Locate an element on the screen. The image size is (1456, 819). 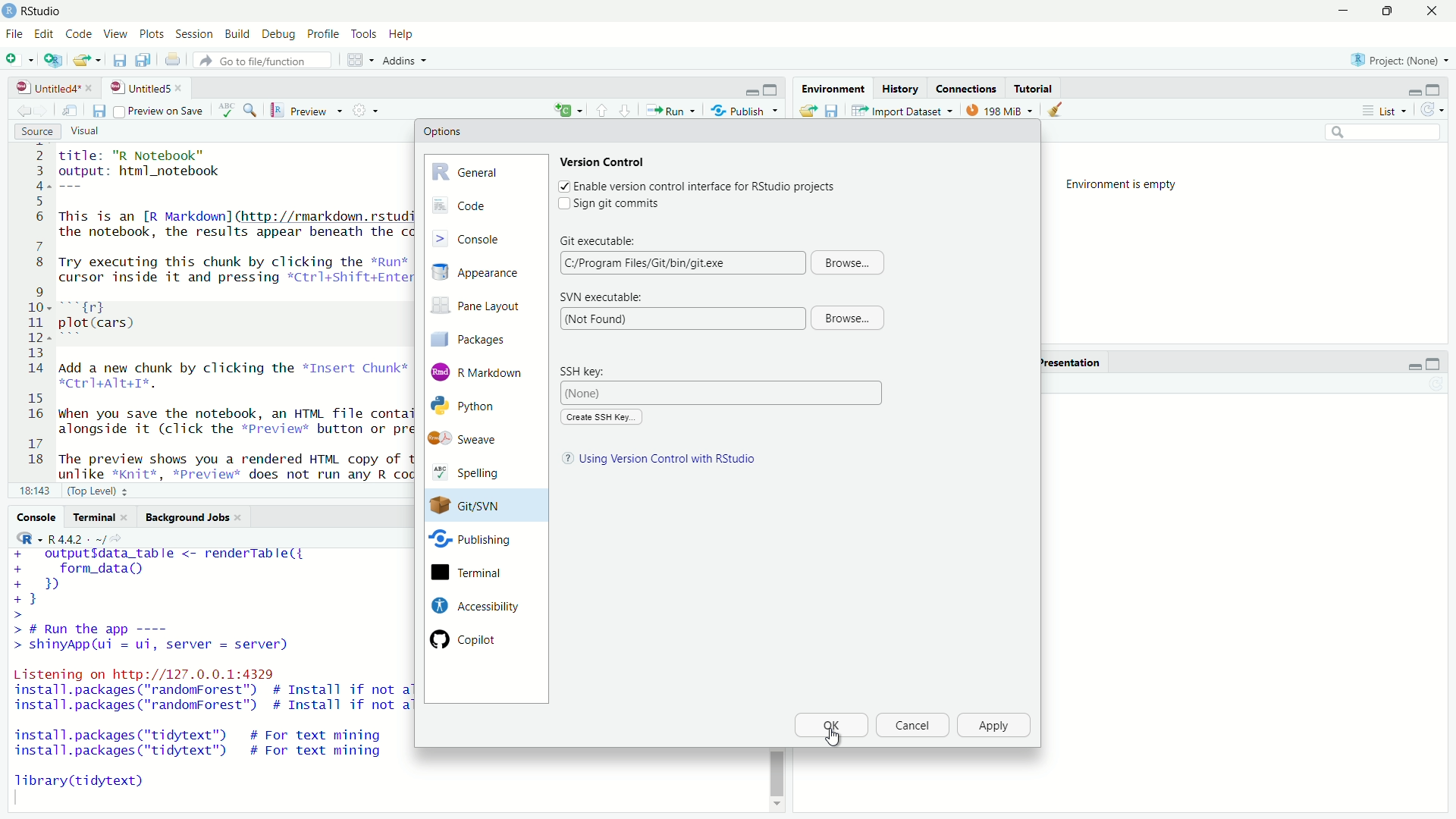
move forward is located at coordinates (21, 111).